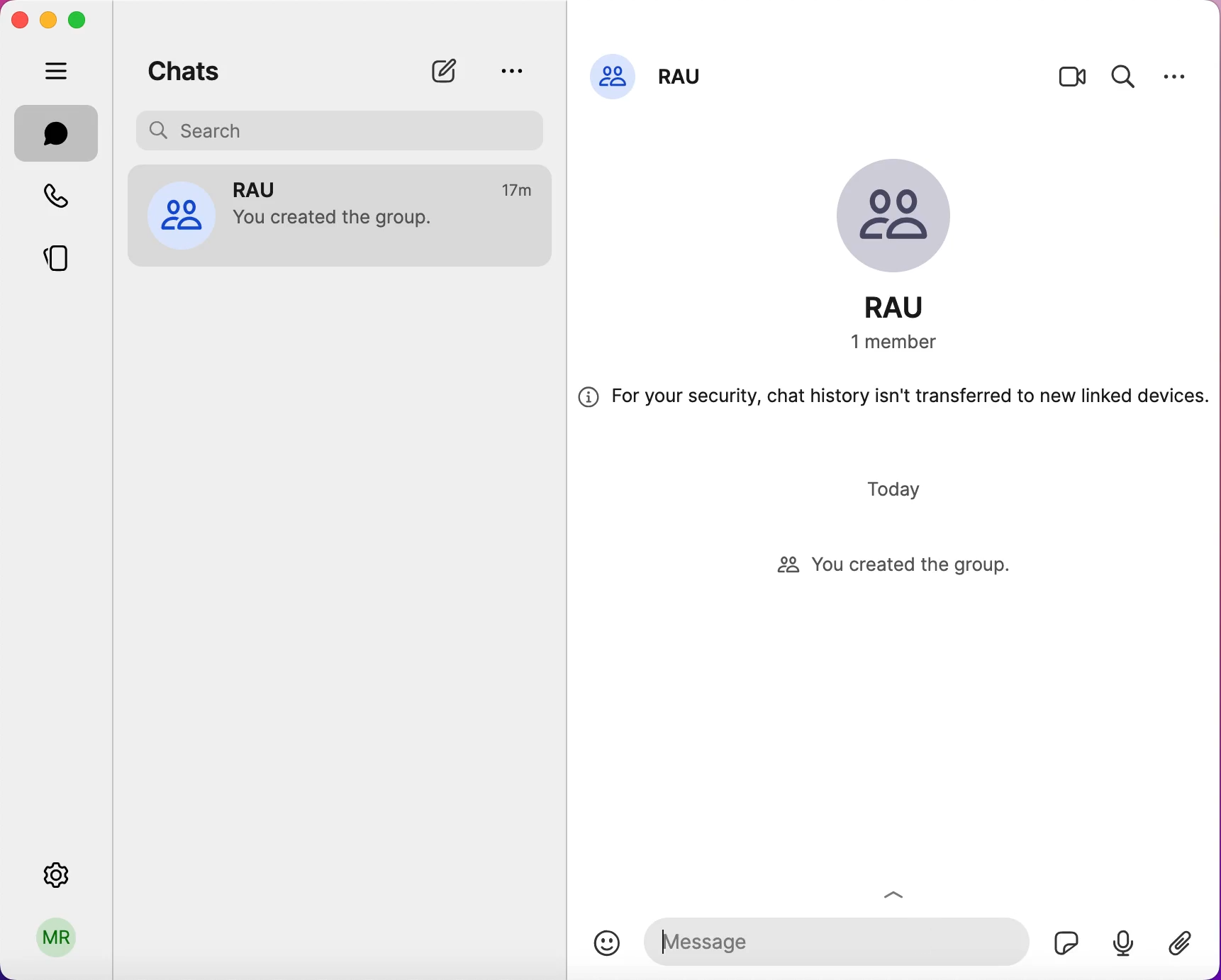 The image size is (1221, 980). I want to click on group name, so click(910, 307).